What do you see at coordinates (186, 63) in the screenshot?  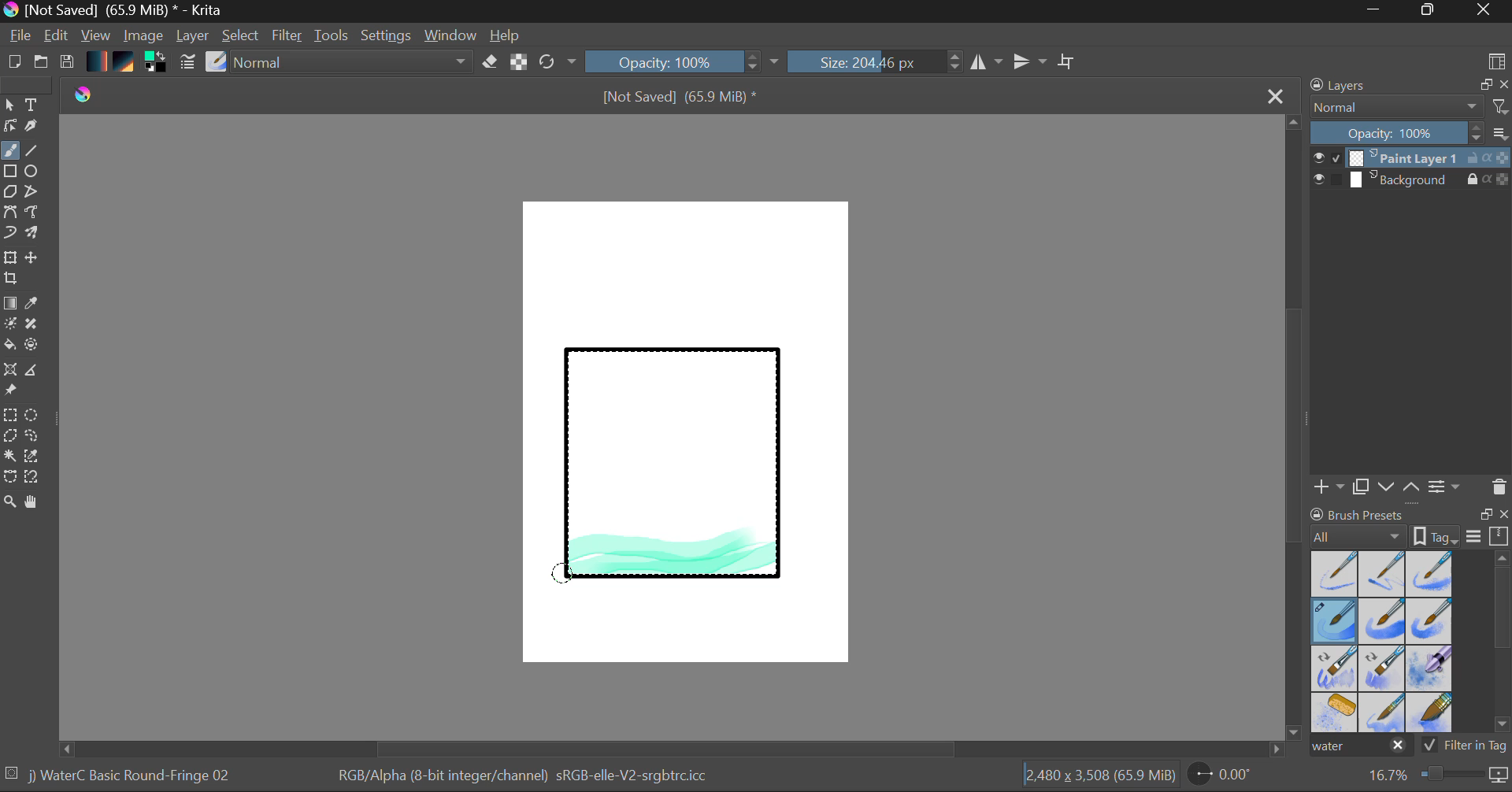 I see `Brush Settings` at bounding box center [186, 63].